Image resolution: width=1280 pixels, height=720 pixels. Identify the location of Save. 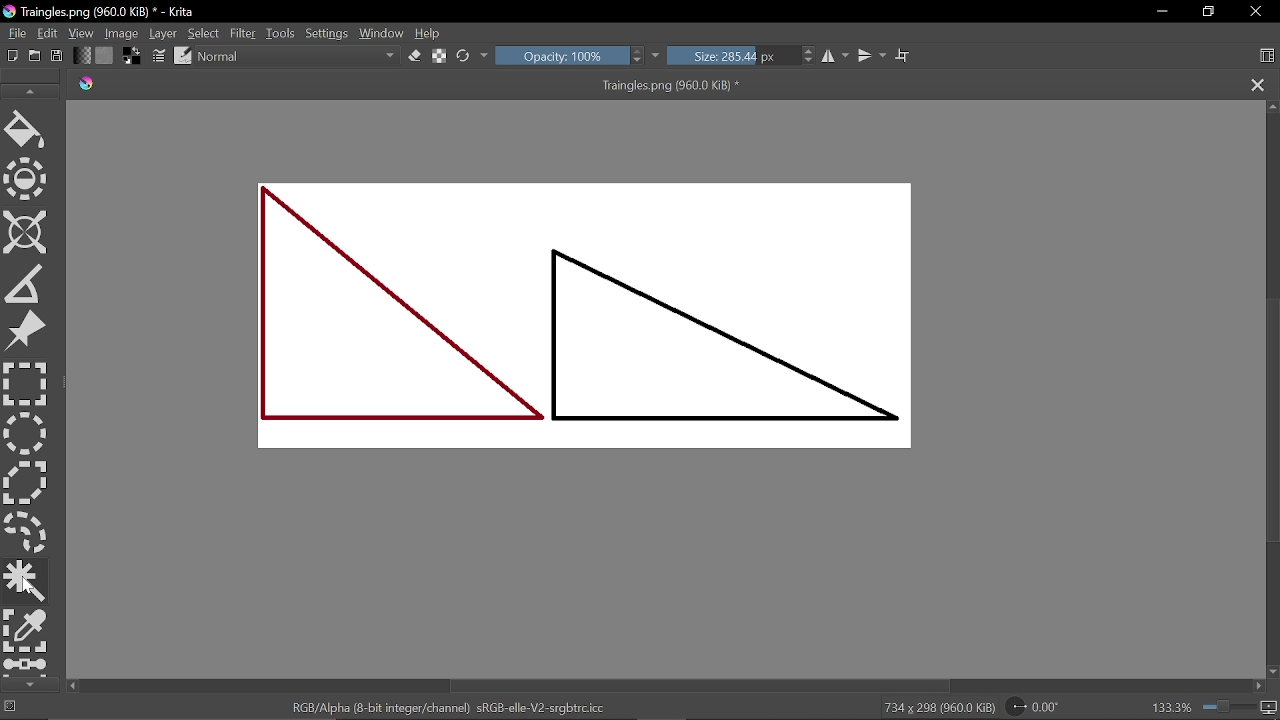
(54, 56).